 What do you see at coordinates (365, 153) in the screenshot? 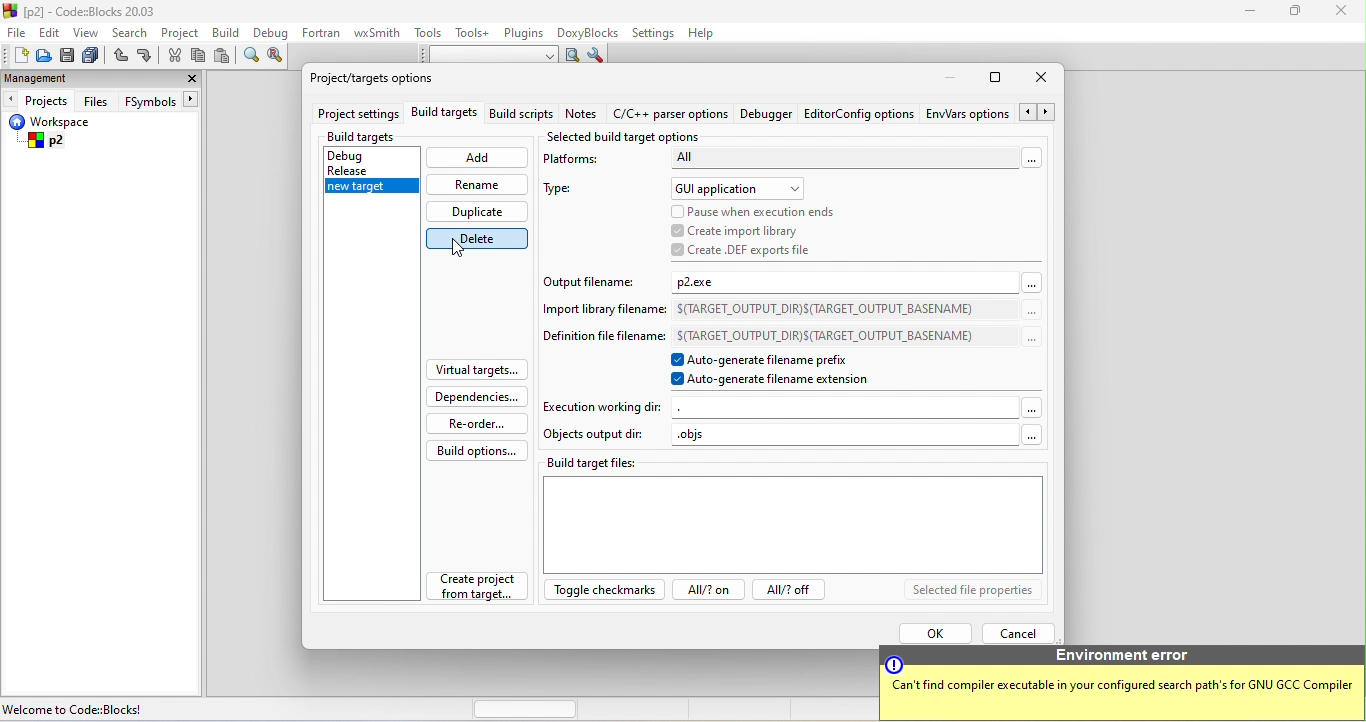
I see `debug` at bounding box center [365, 153].